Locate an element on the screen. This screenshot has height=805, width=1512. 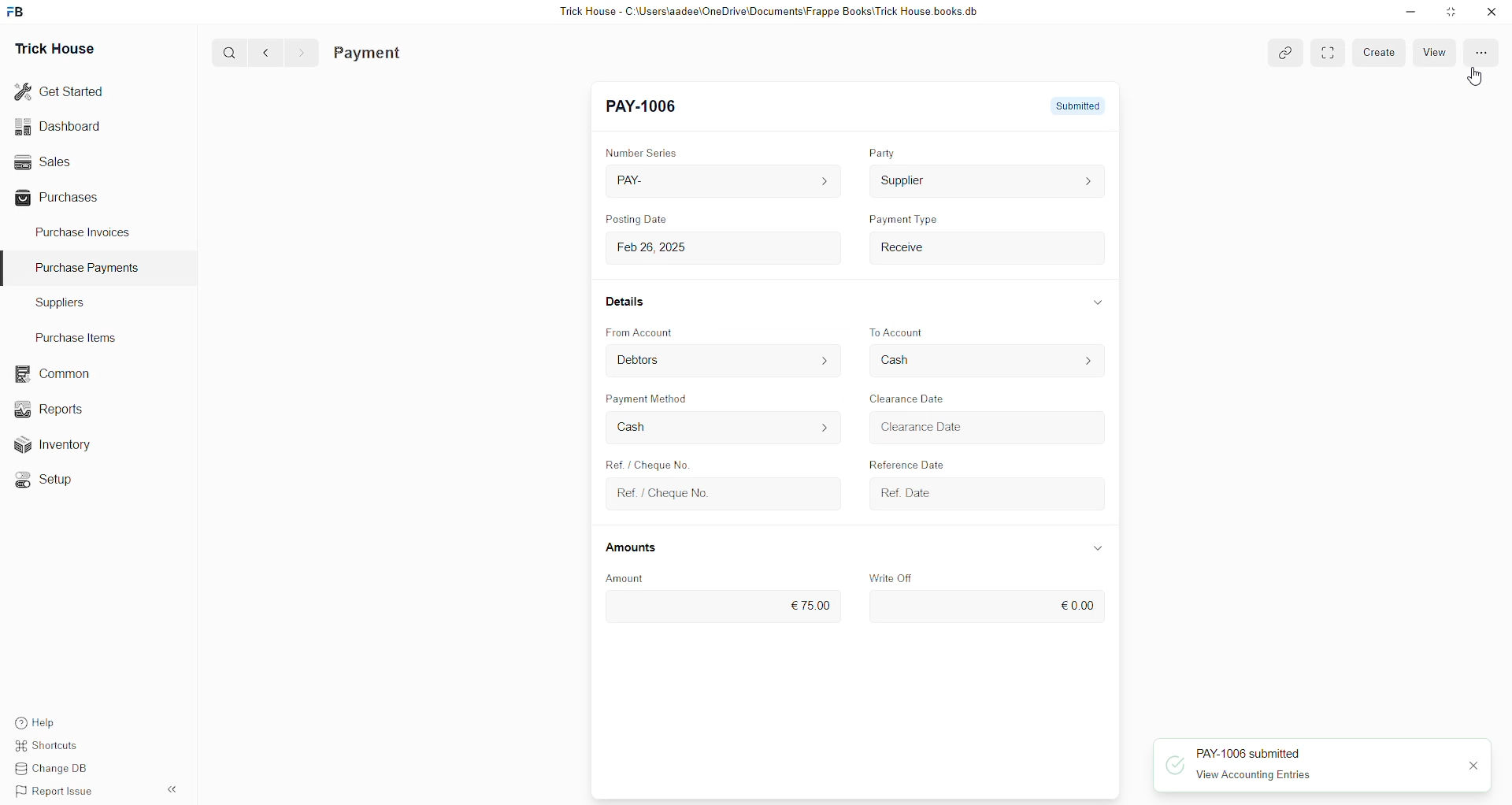
create is located at coordinates (1380, 53).